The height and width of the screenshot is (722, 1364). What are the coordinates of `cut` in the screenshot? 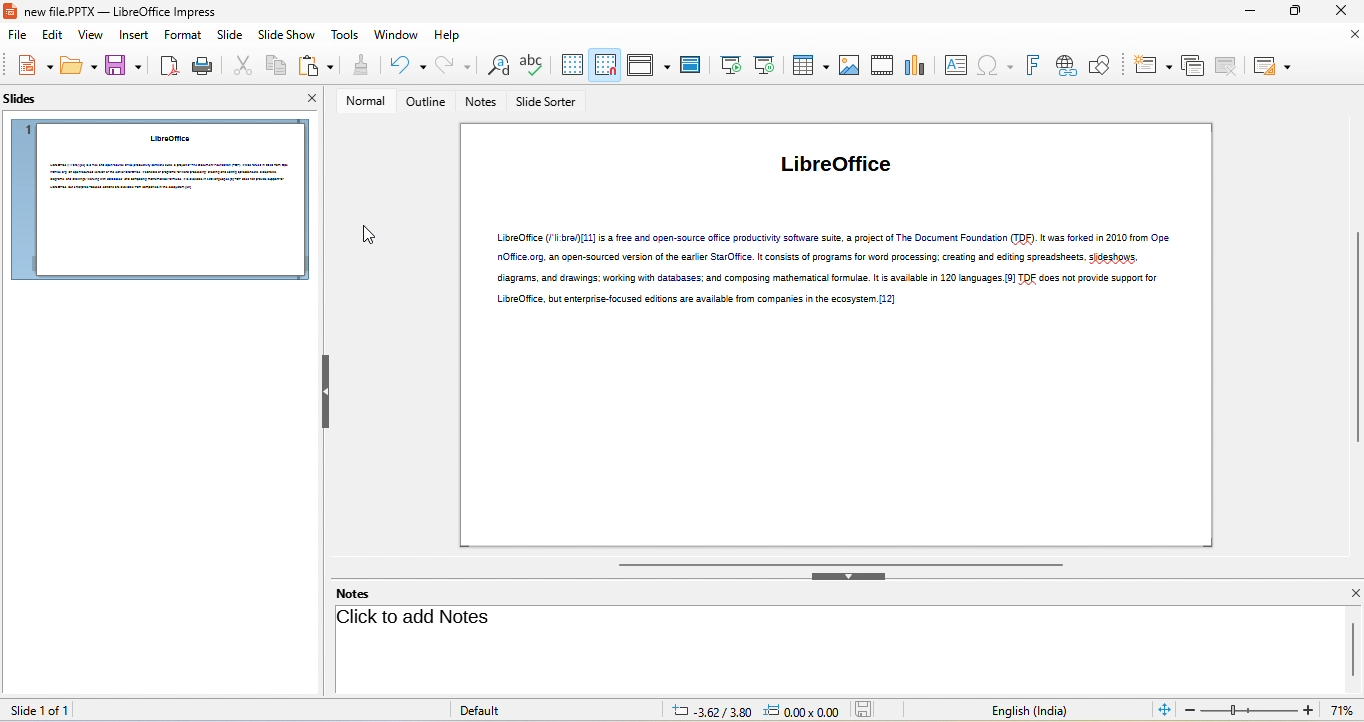 It's located at (240, 65).